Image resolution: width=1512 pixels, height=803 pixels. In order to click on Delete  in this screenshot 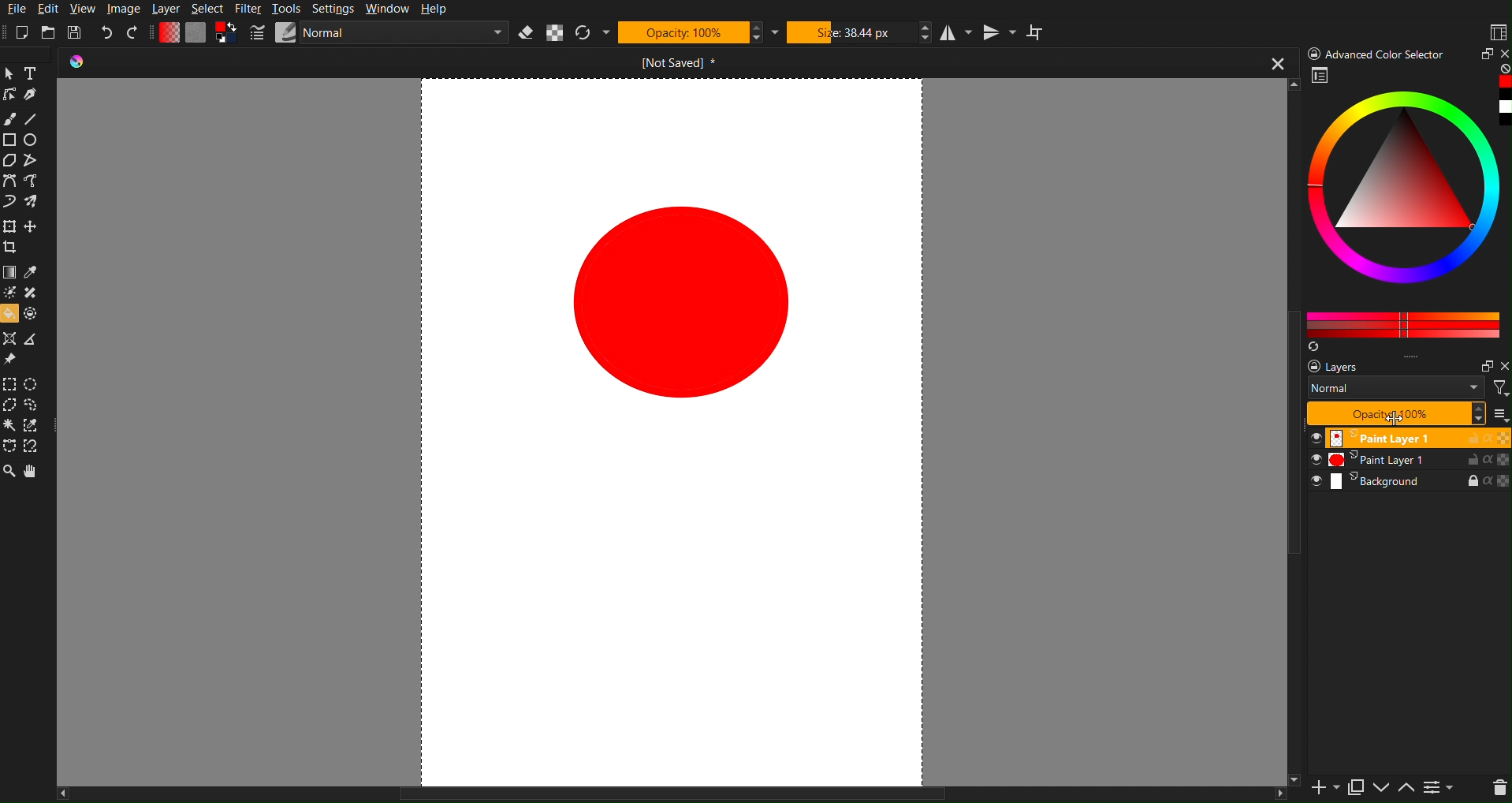, I will do `click(1498, 790)`.